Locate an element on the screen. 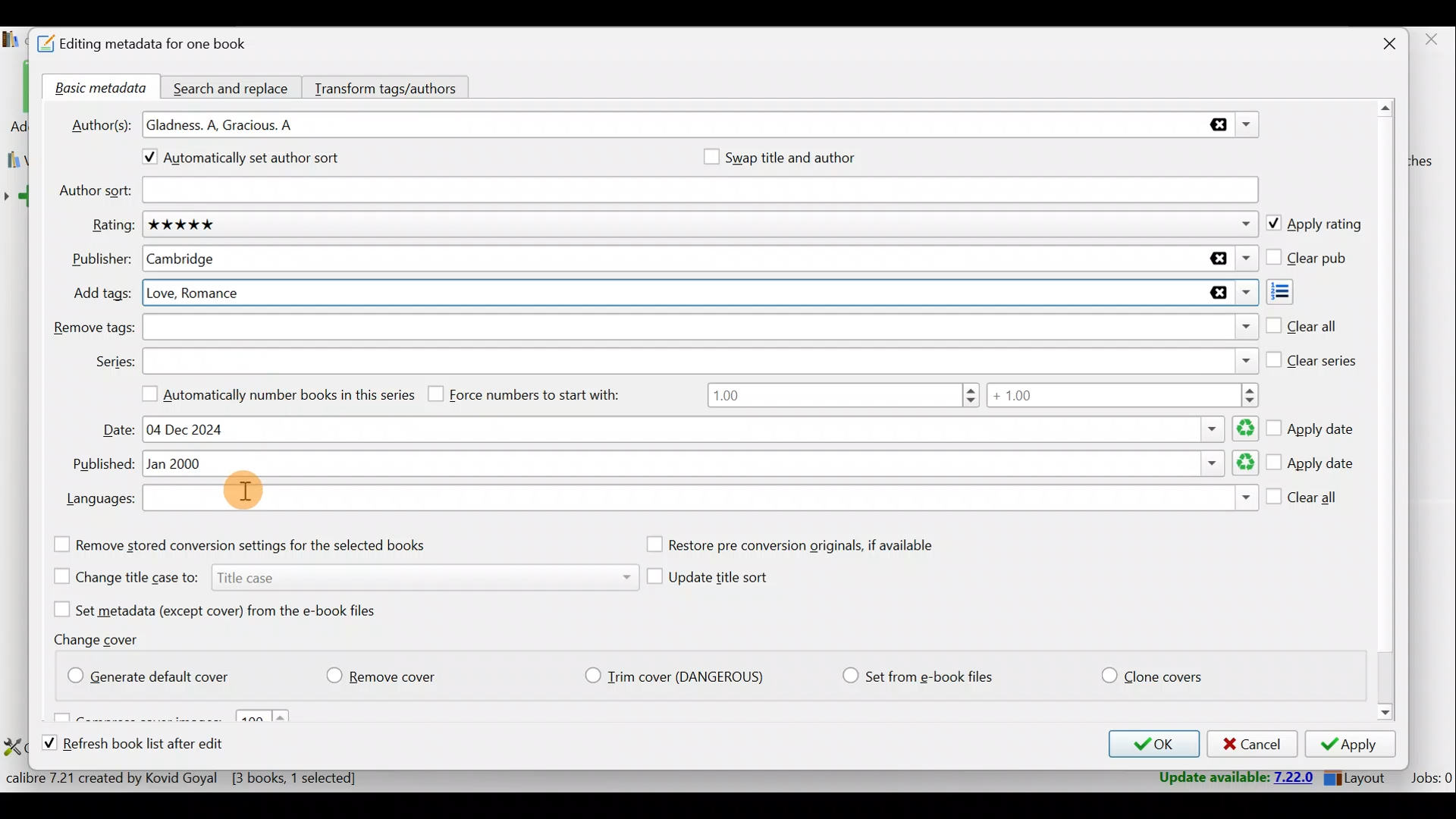 The image size is (1456, 819). Cancel is located at coordinates (1250, 745).